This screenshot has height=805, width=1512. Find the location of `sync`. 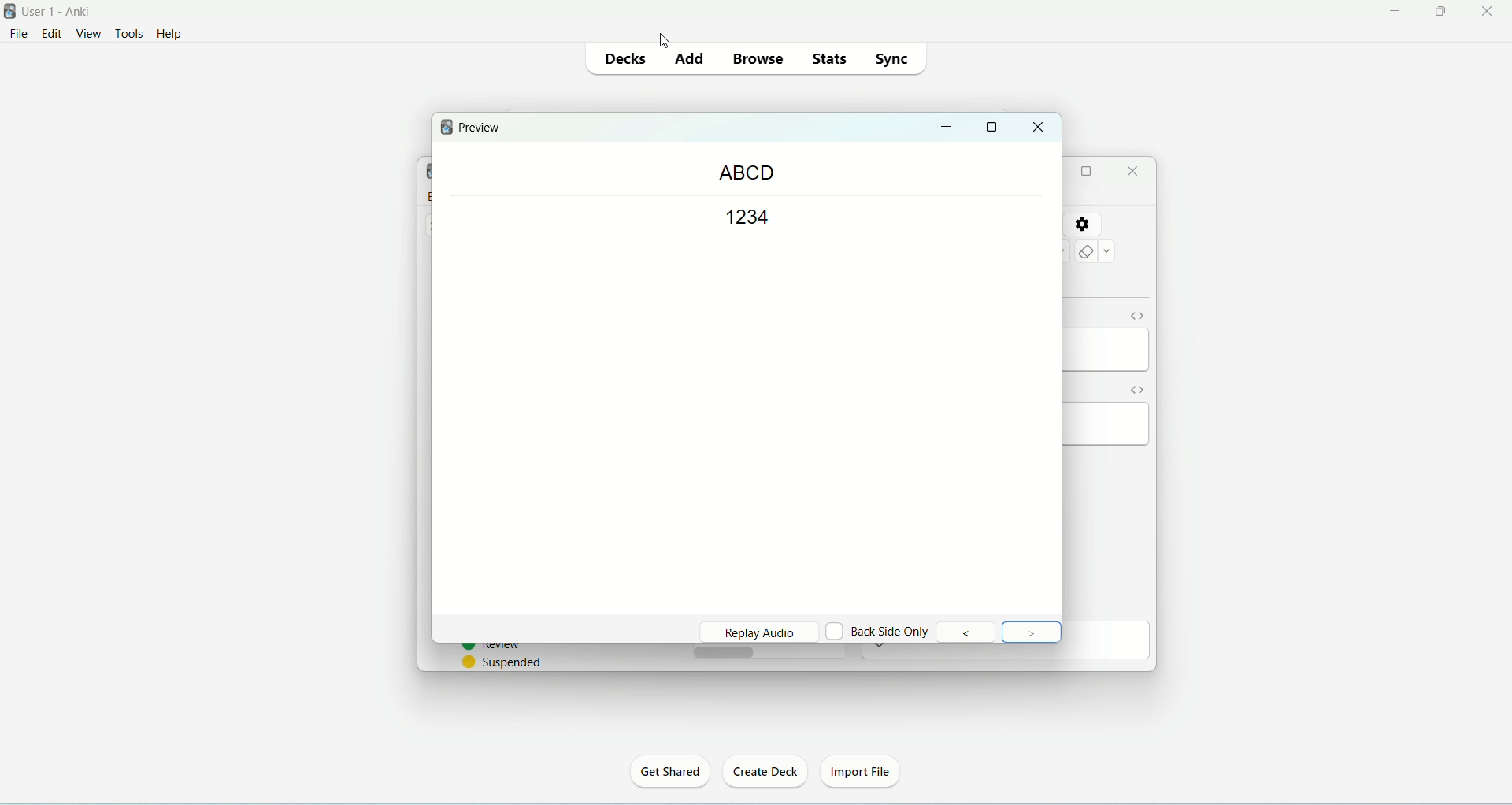

sync is located at coordinates (895, 59).